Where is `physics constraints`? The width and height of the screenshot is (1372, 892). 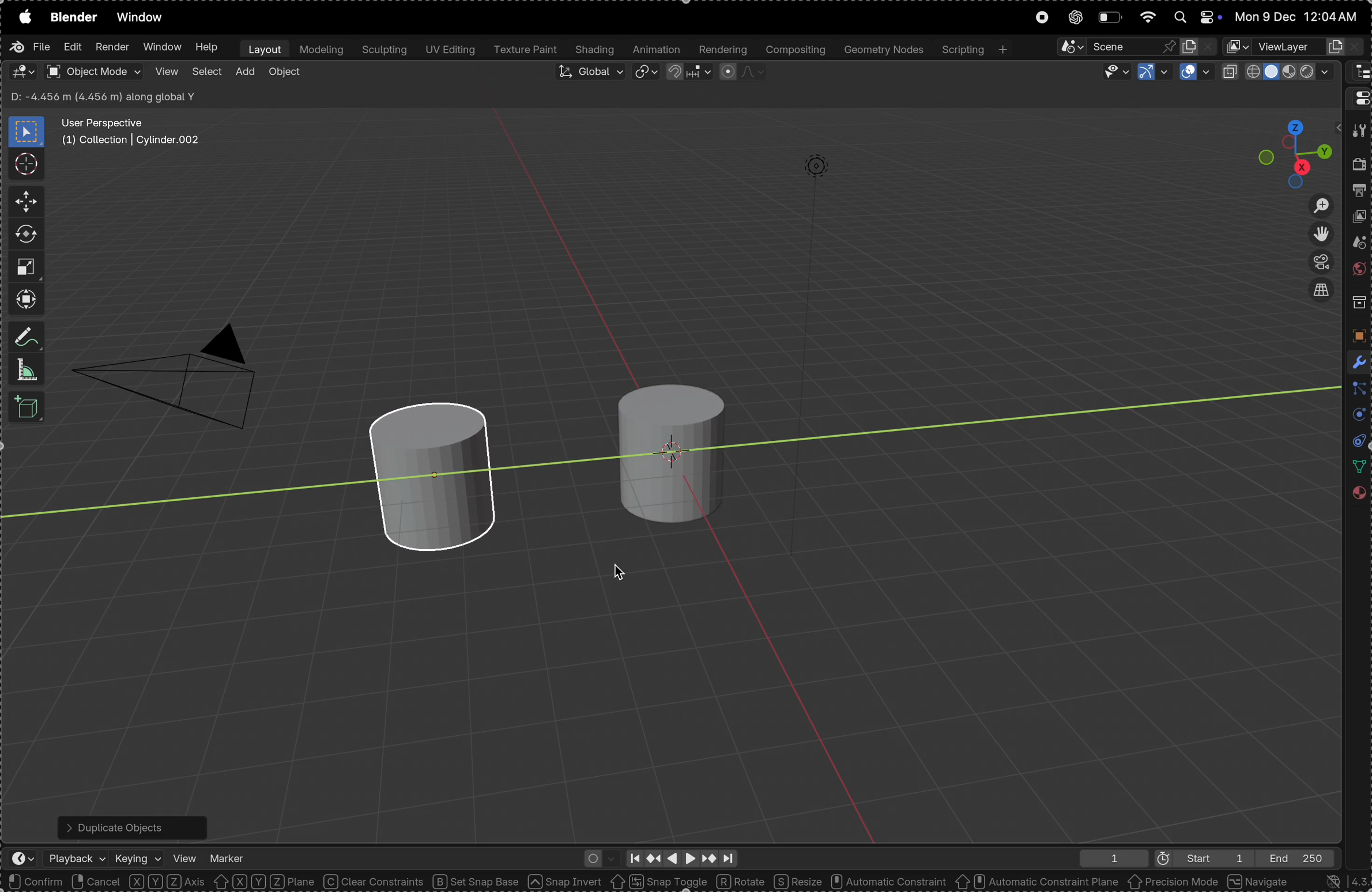
physics constraints is located at coordinates (1355, 442).